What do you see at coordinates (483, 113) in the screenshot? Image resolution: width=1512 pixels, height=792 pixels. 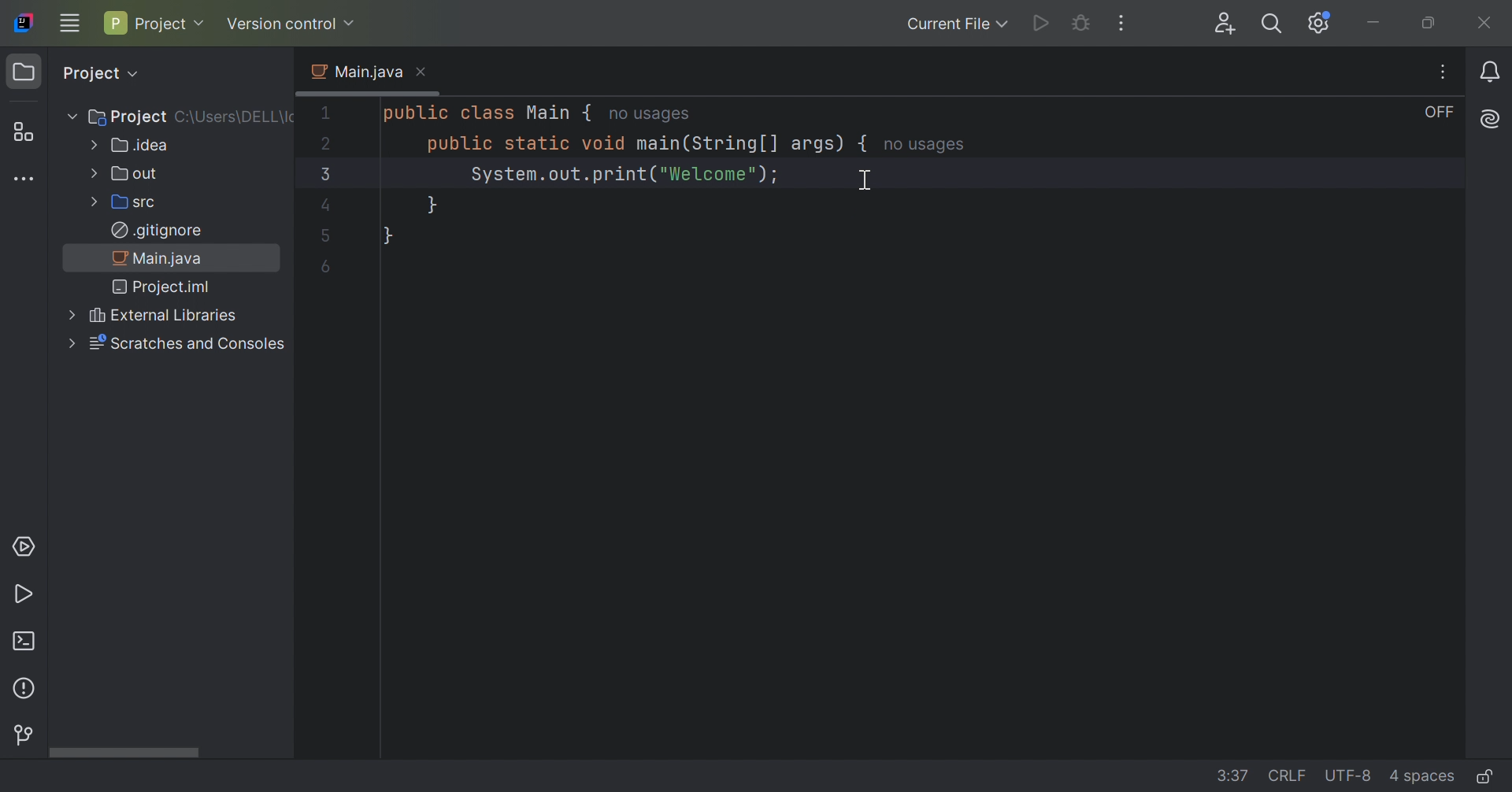 I see `public class Main {` at bounding box center [483, 113].